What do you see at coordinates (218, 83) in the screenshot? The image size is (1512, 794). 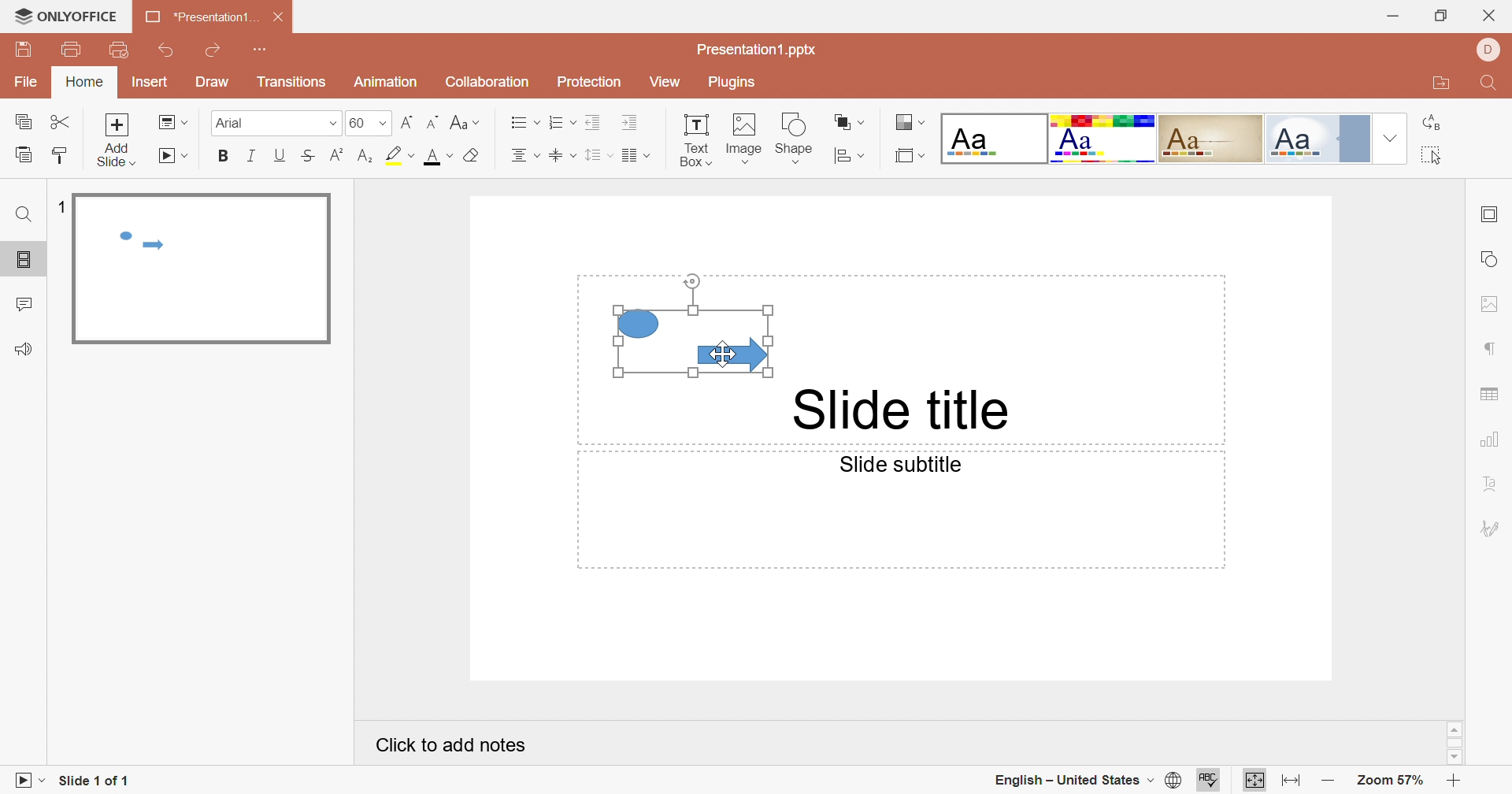 I see `Draw` at bounding box center [218, 83].